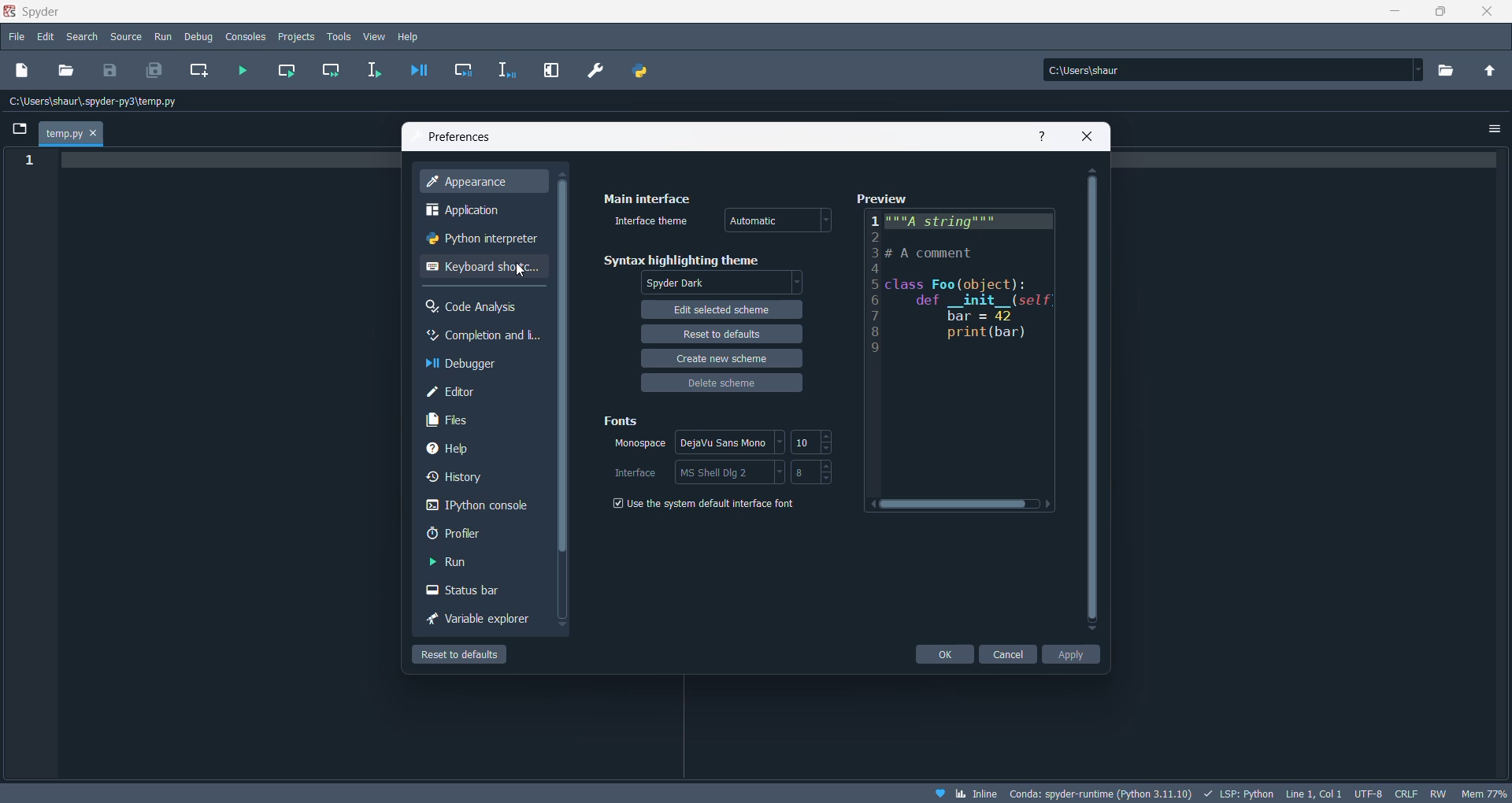 This screenshot has height=803, width=1512. I want to click on reset to defaults, so click(721, 333).